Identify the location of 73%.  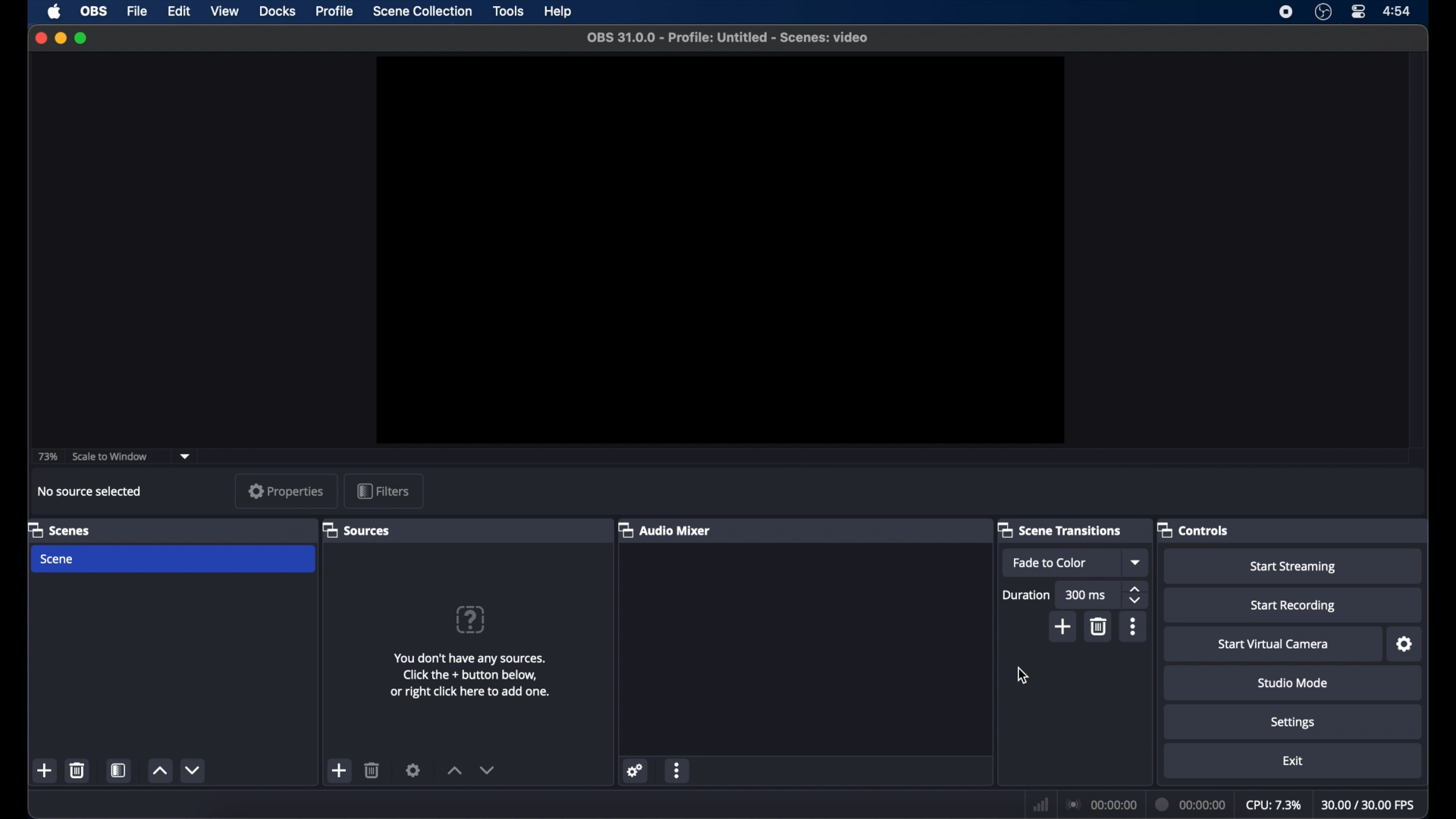
(46, 457).